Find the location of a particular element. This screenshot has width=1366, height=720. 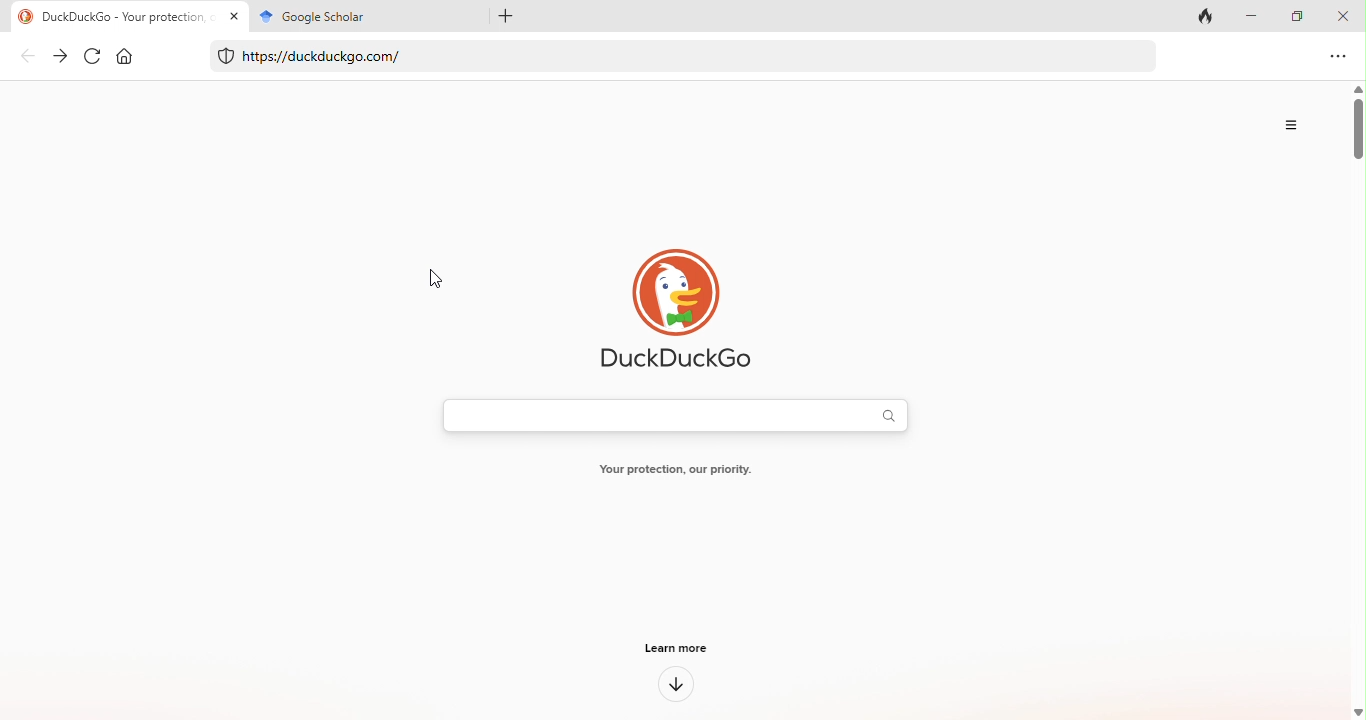

refresh is located at coordinates (94, 57).